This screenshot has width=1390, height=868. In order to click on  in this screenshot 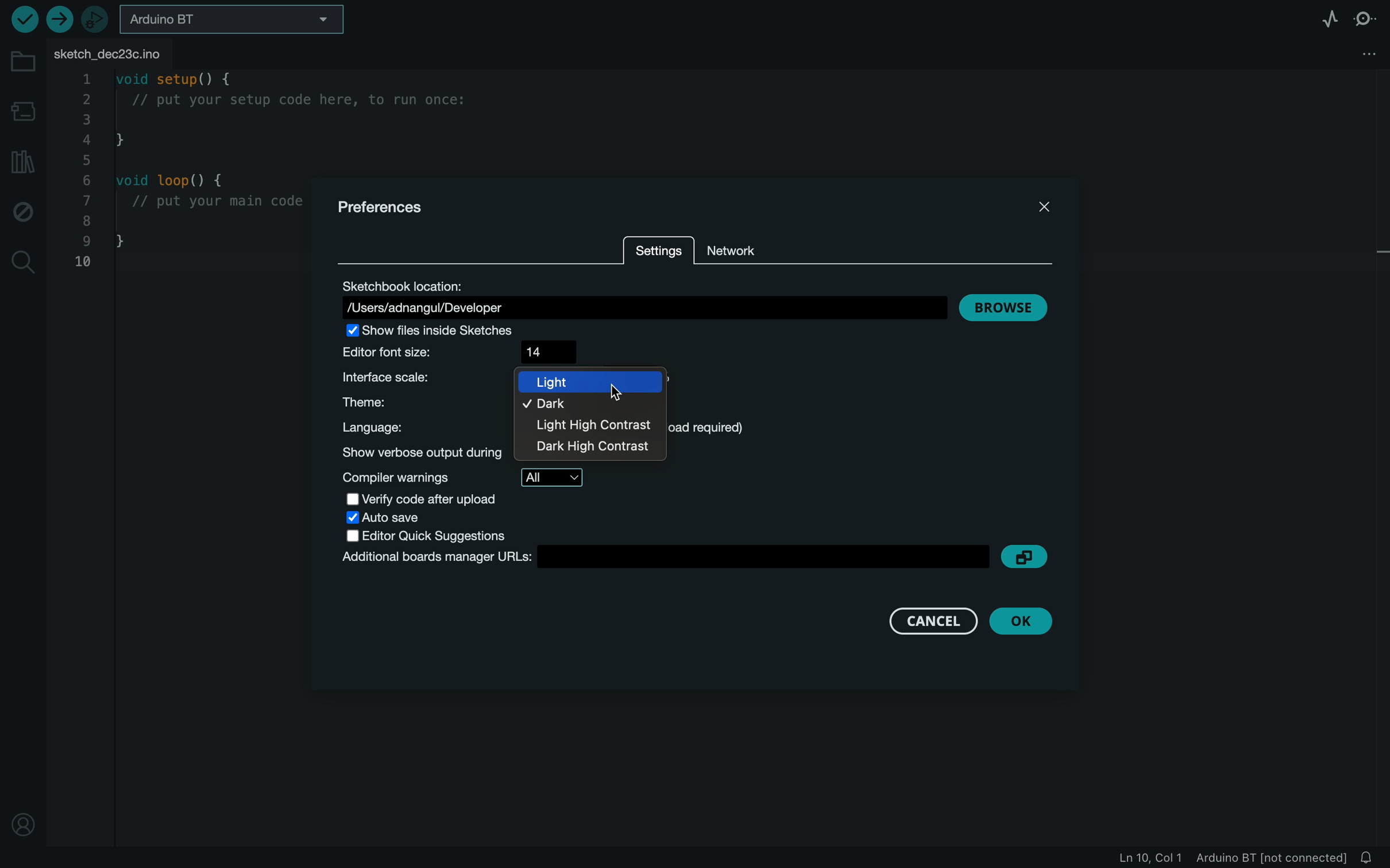, I will do `click(588, 448)`.